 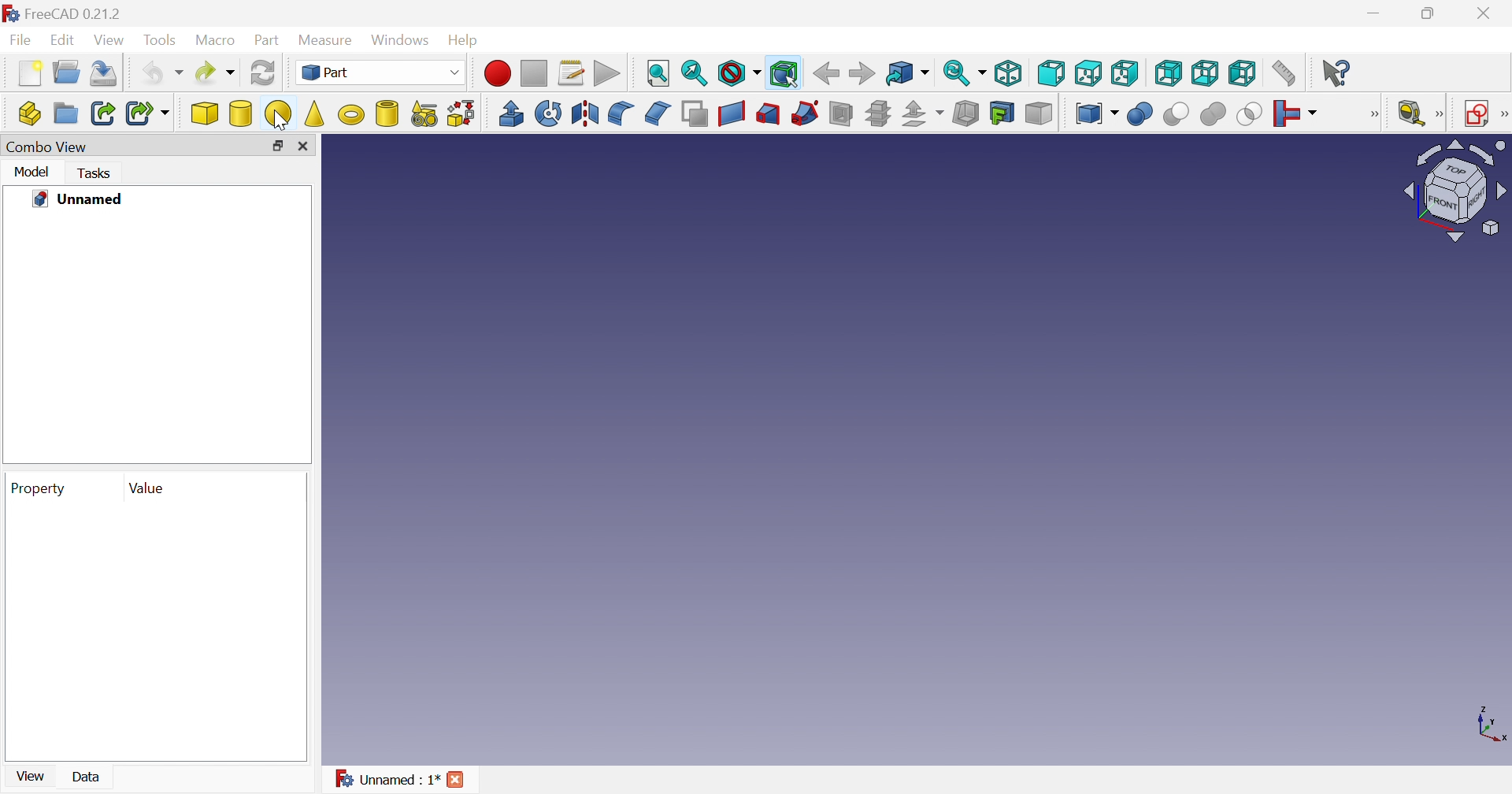 What do you see at coordinates (732, 113) in the screenshot?
I see `Create ruled surface` at bounding box center [732, 113].